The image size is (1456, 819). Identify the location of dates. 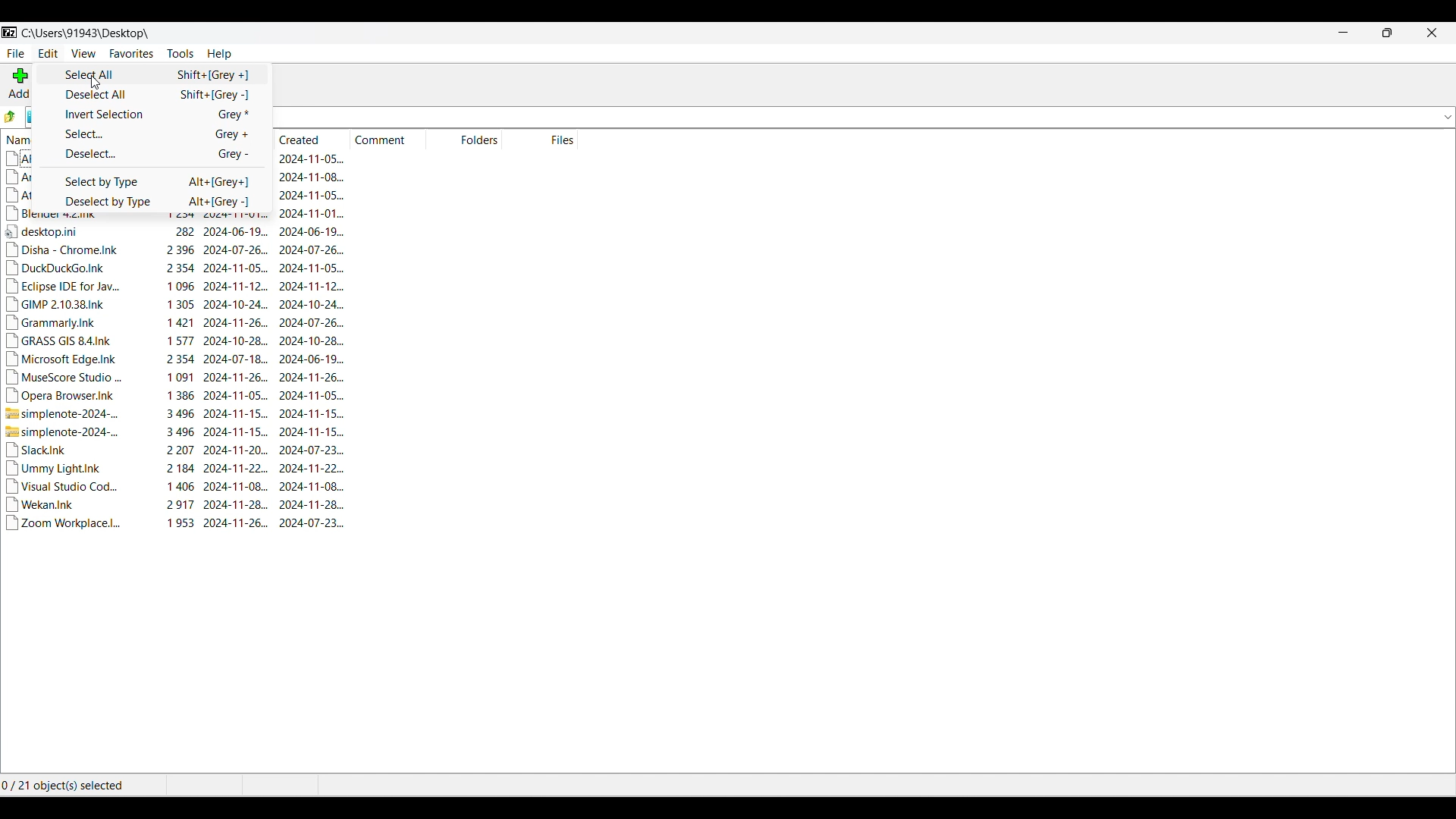
(316, 186).